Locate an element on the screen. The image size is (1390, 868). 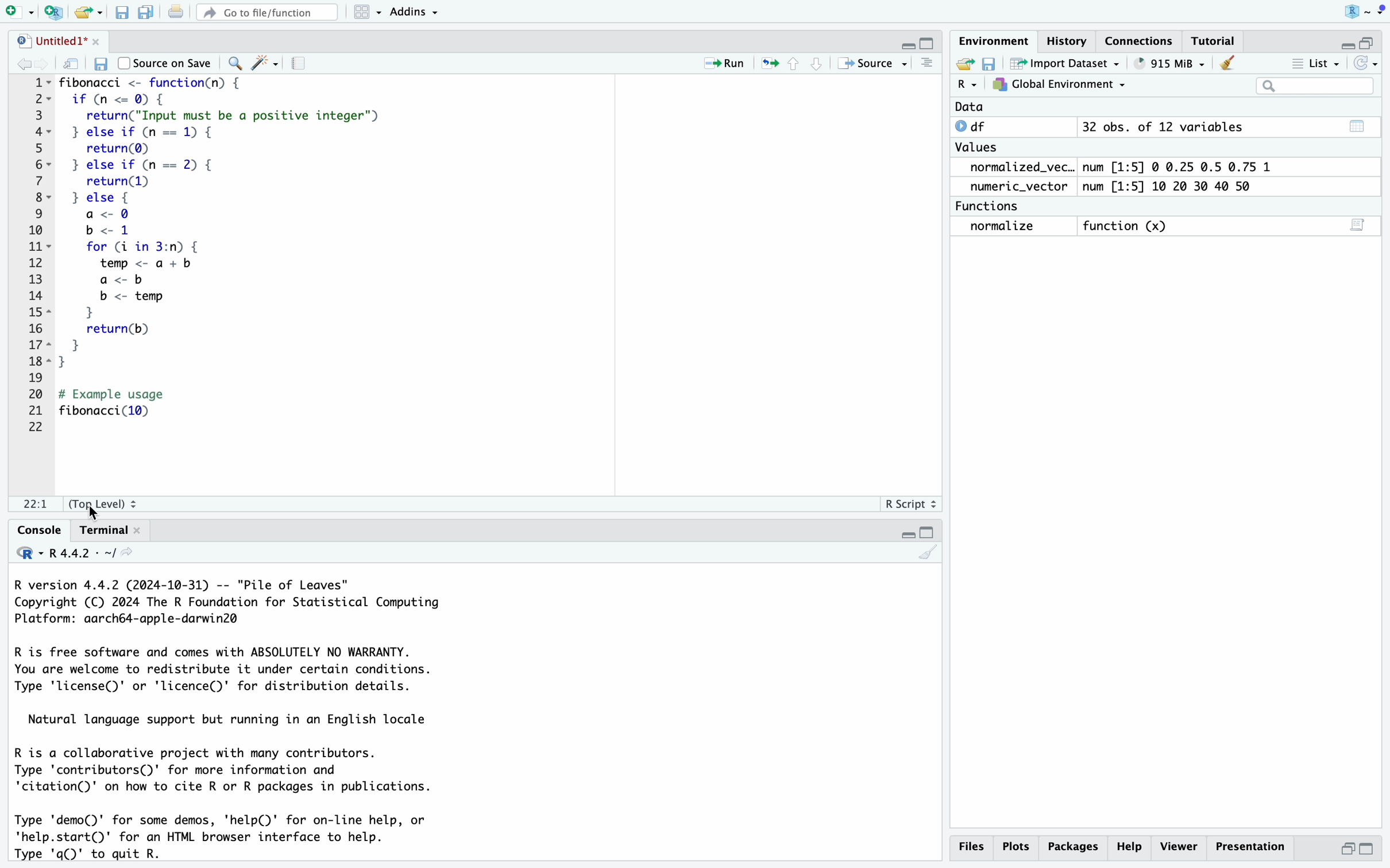
numeric_vector is located at coordinates (1016, 187).